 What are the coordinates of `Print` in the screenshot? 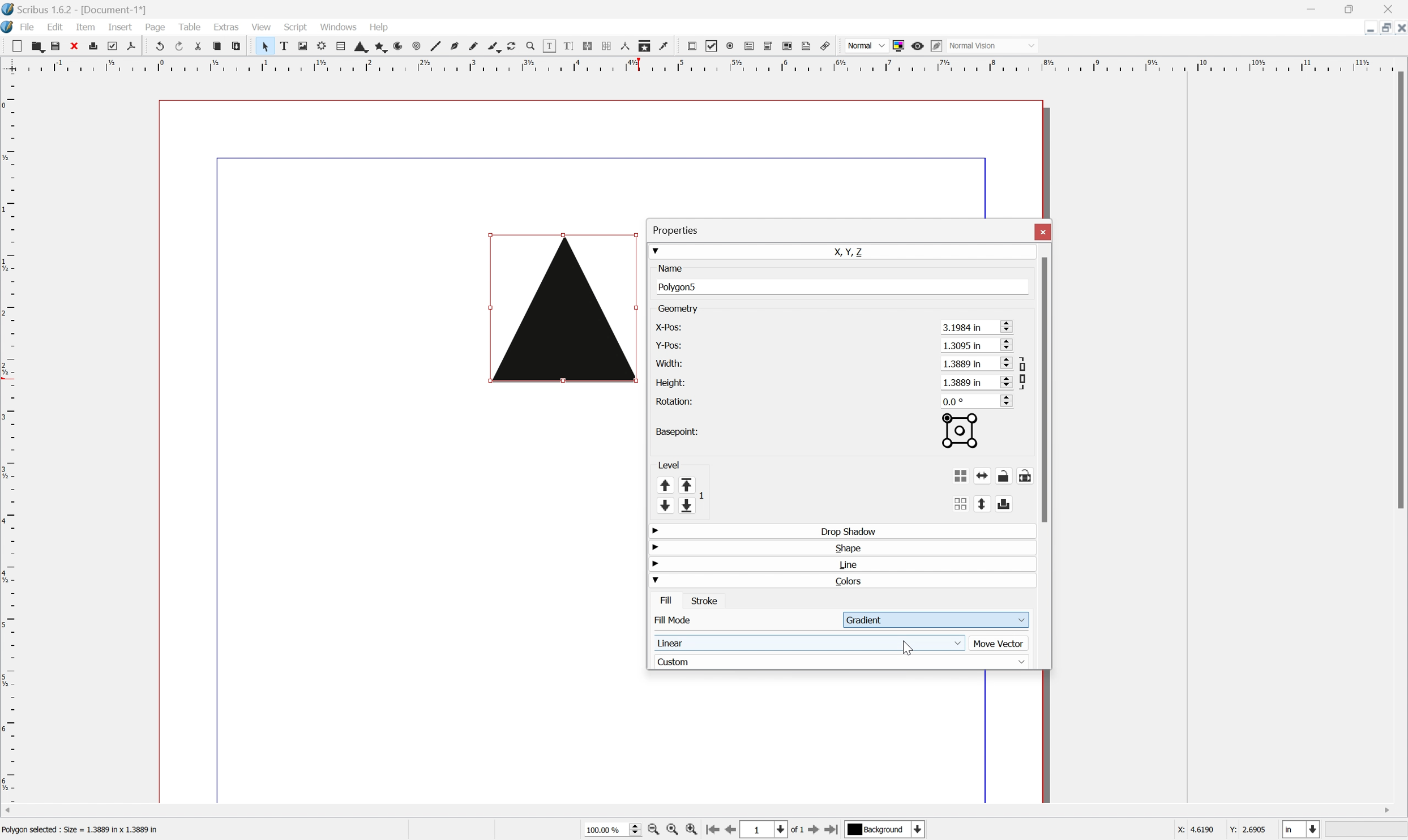 It's located at (92, 45).